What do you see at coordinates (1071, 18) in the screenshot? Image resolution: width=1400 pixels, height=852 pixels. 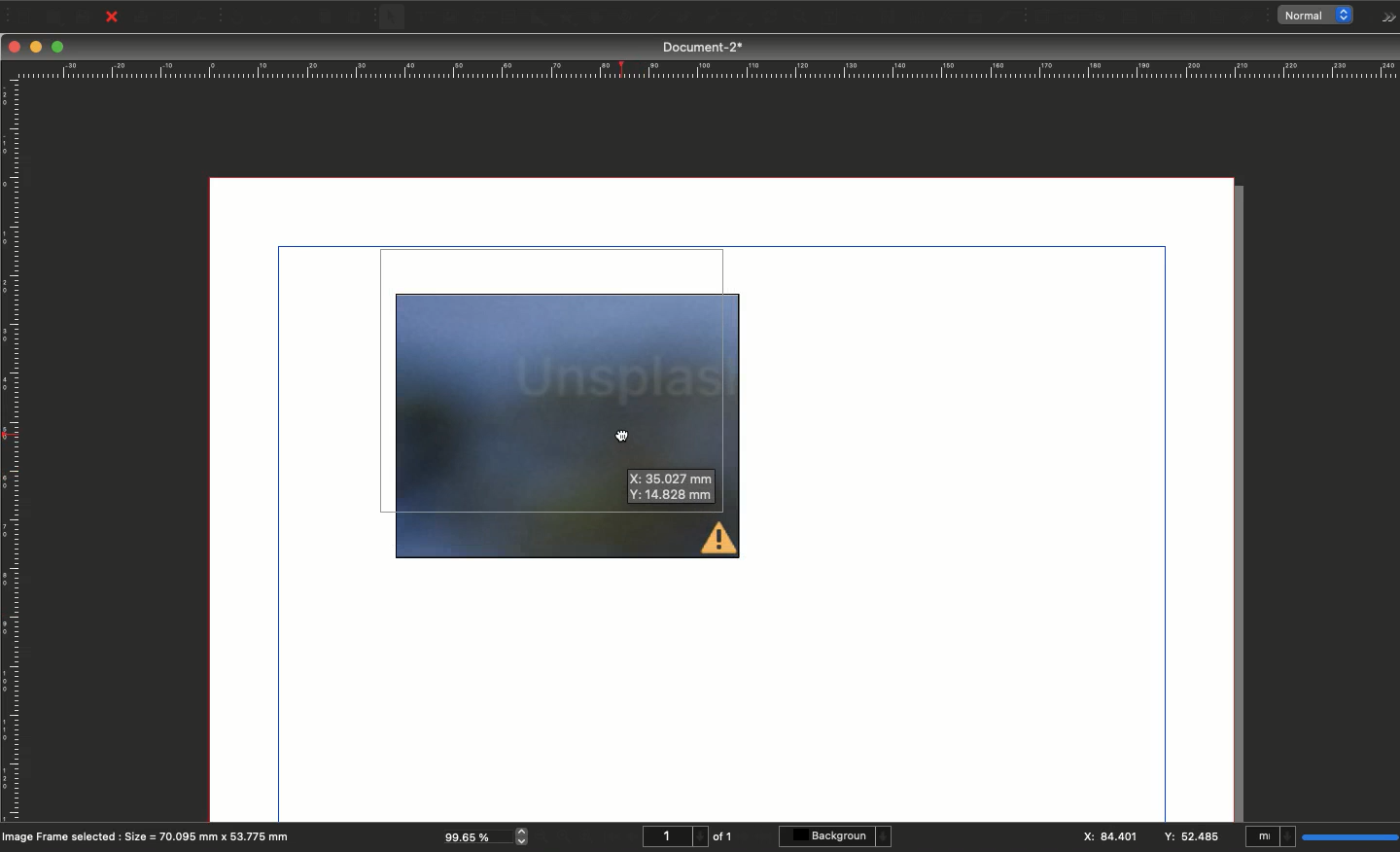 I see `PDF check box` at bounding box center [1071, 18].